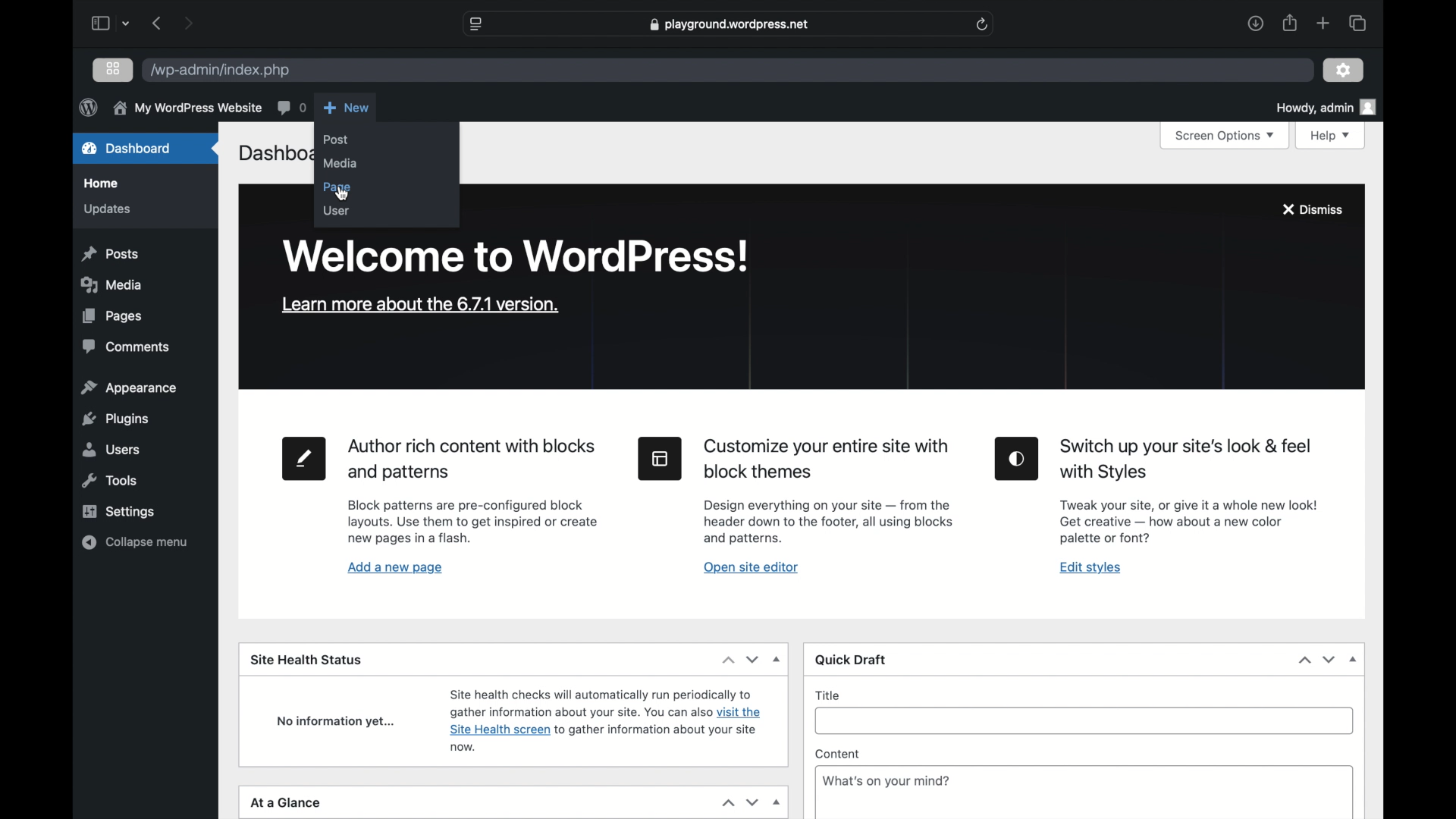 The width and height of the screenshot is (1456, 819). What do you see at coordinates (1188, 460) in the screenshot?
I see `heading` at bounding box center [1188, 460].